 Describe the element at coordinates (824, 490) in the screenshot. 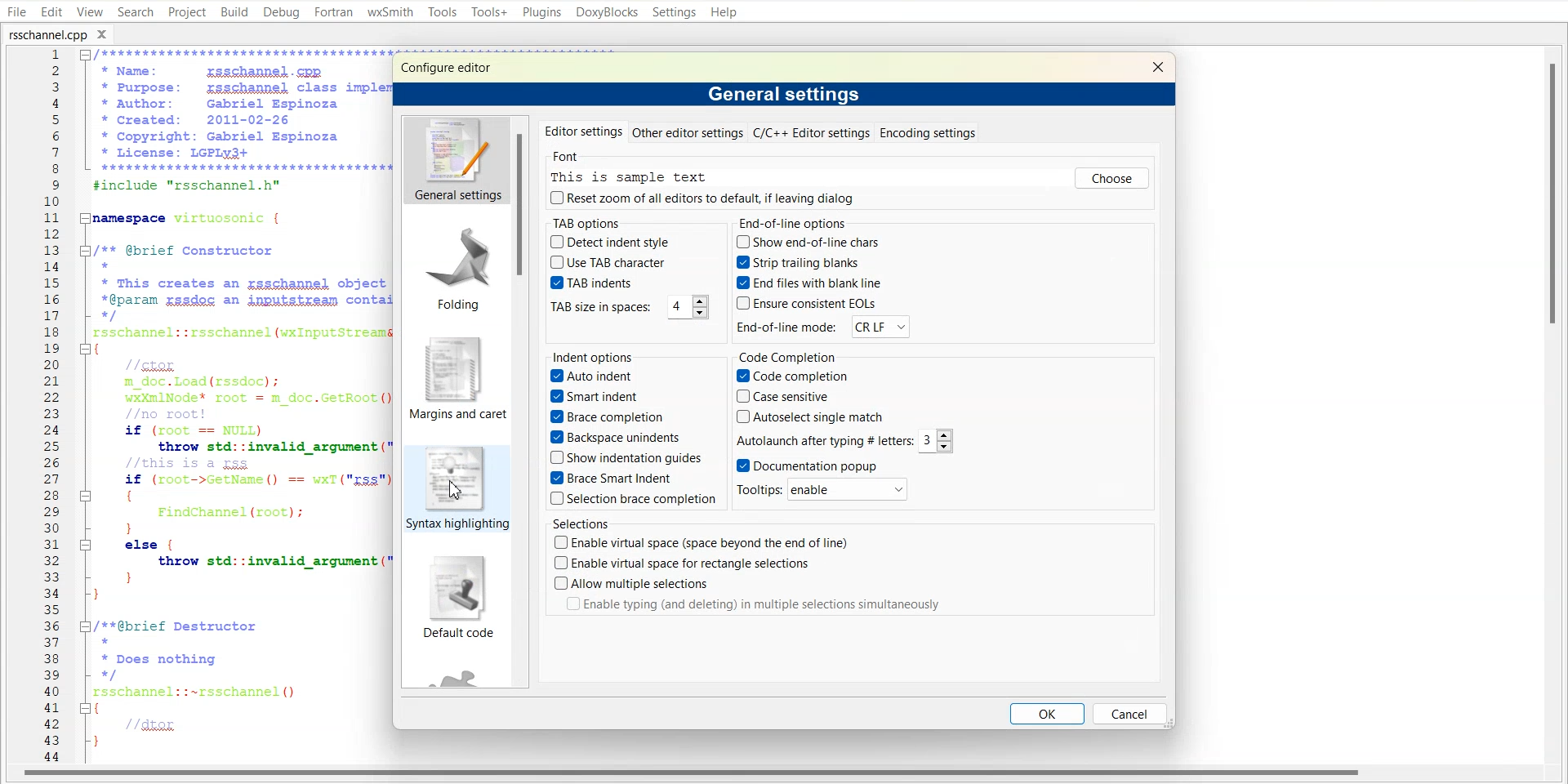

I see `Tooltips` at that location.